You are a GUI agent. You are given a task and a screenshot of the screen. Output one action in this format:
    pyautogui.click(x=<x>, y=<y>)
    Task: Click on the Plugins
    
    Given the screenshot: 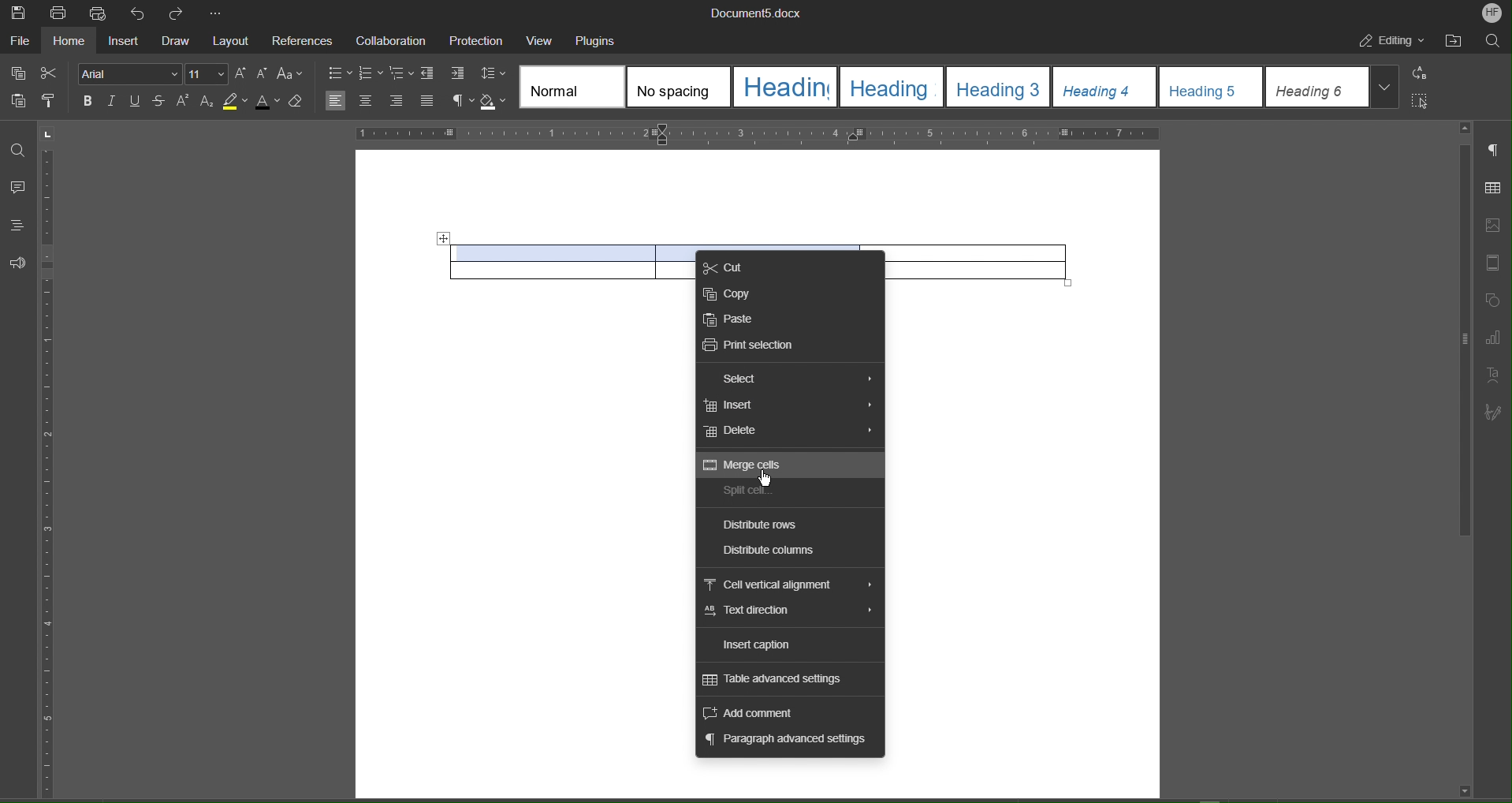 What is the action you would take?
    pyautogui.click(x=598, y=41)
    